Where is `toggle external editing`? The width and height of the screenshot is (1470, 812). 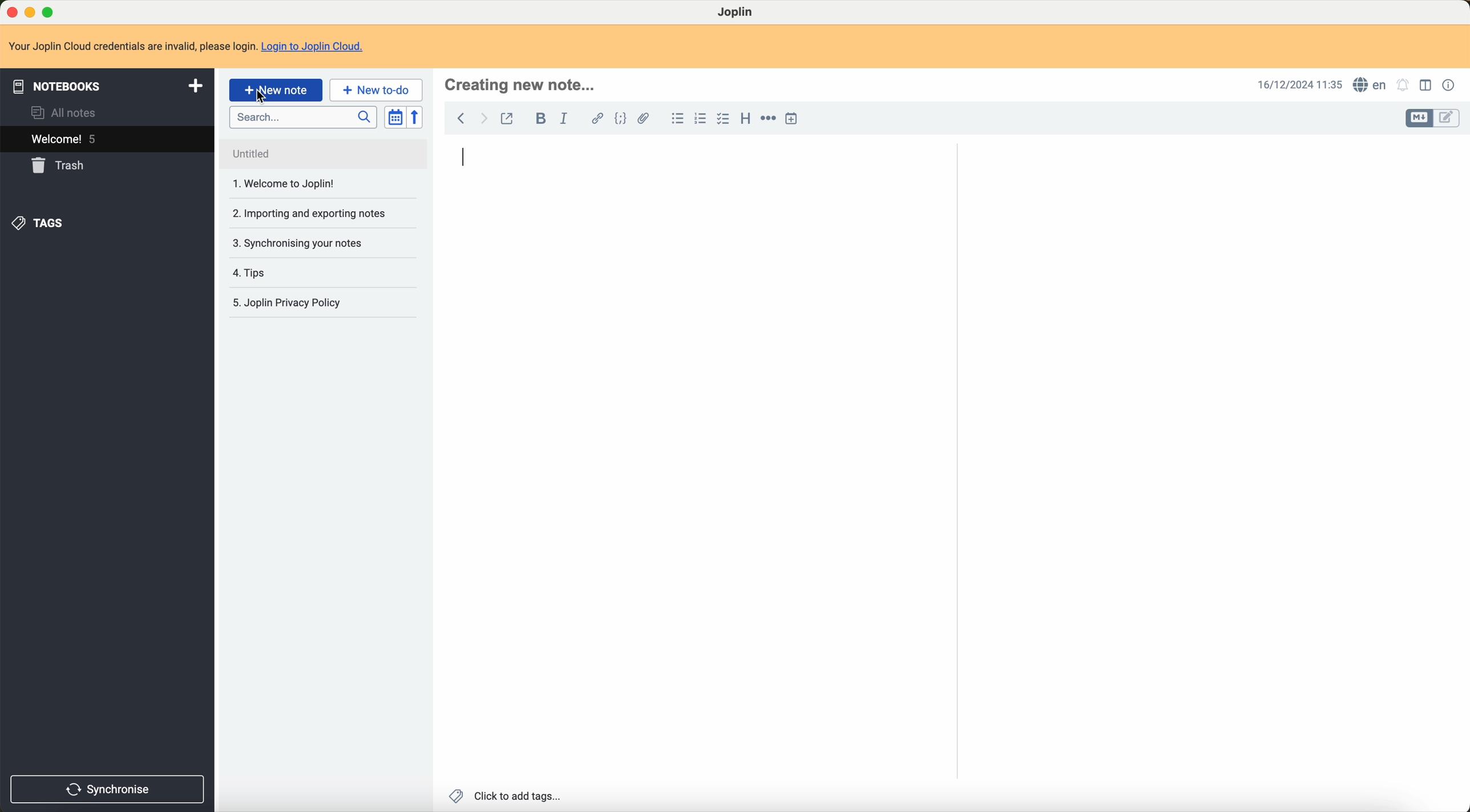
toggle external editing is located at coordinates (511, 119).